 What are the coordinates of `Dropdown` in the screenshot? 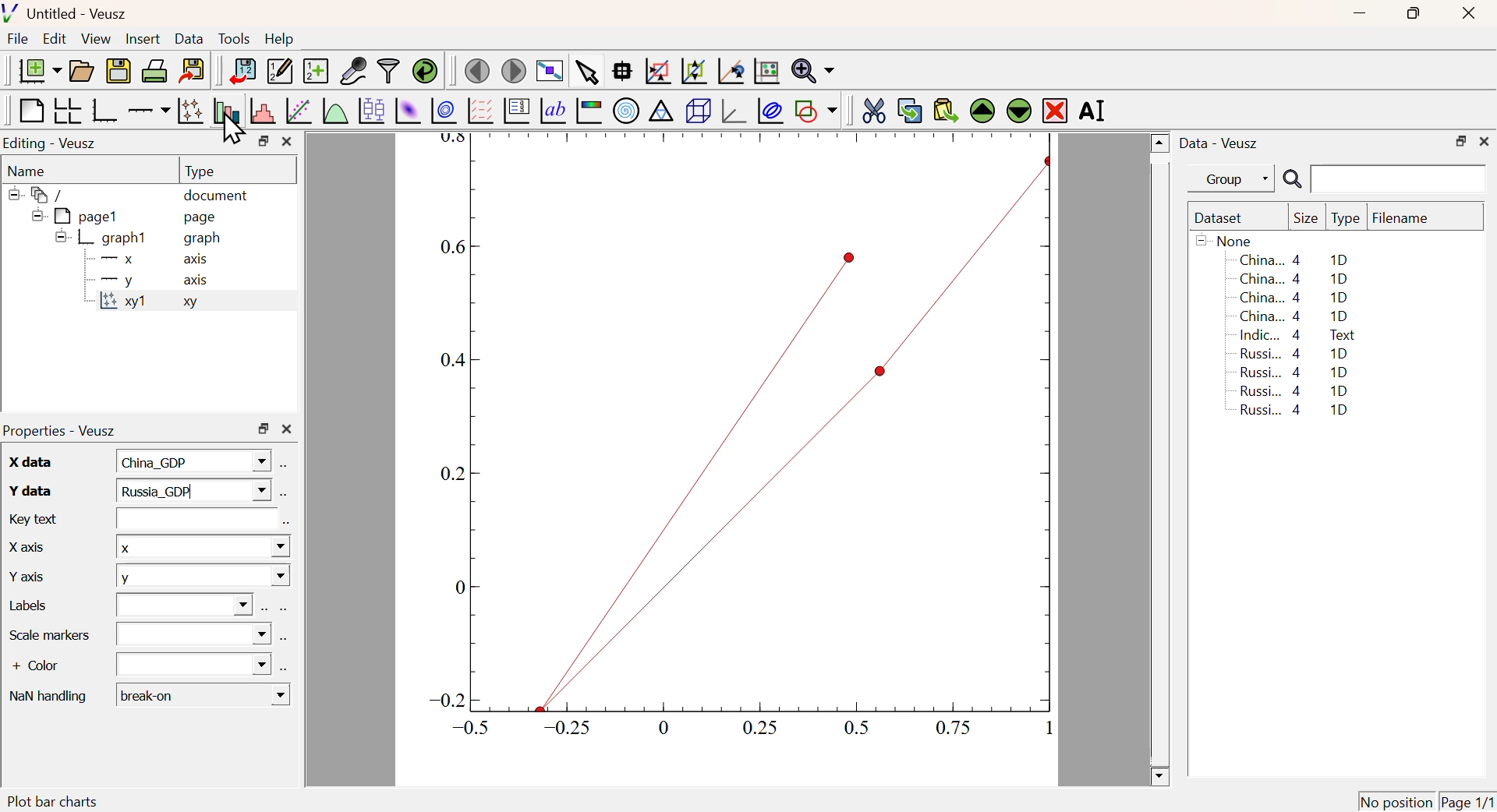 It's located at (194, 664).